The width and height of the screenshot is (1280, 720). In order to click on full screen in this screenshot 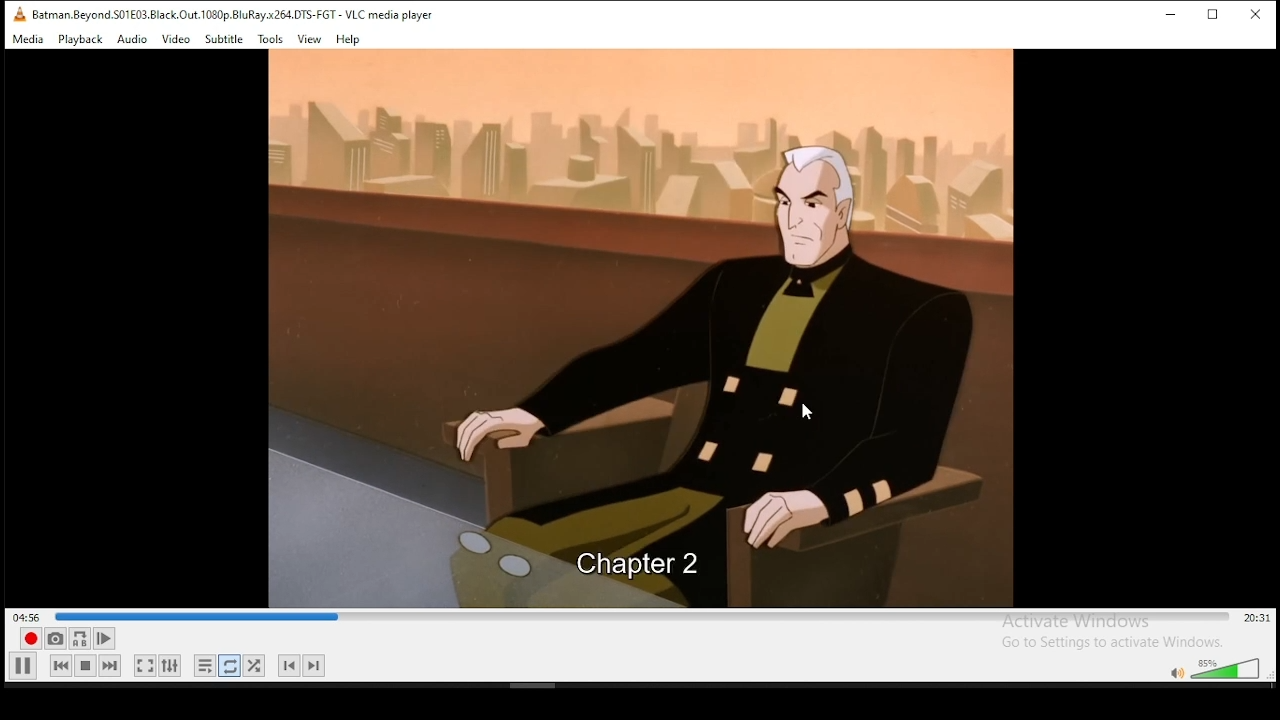, I will do `click(143, 665)`.